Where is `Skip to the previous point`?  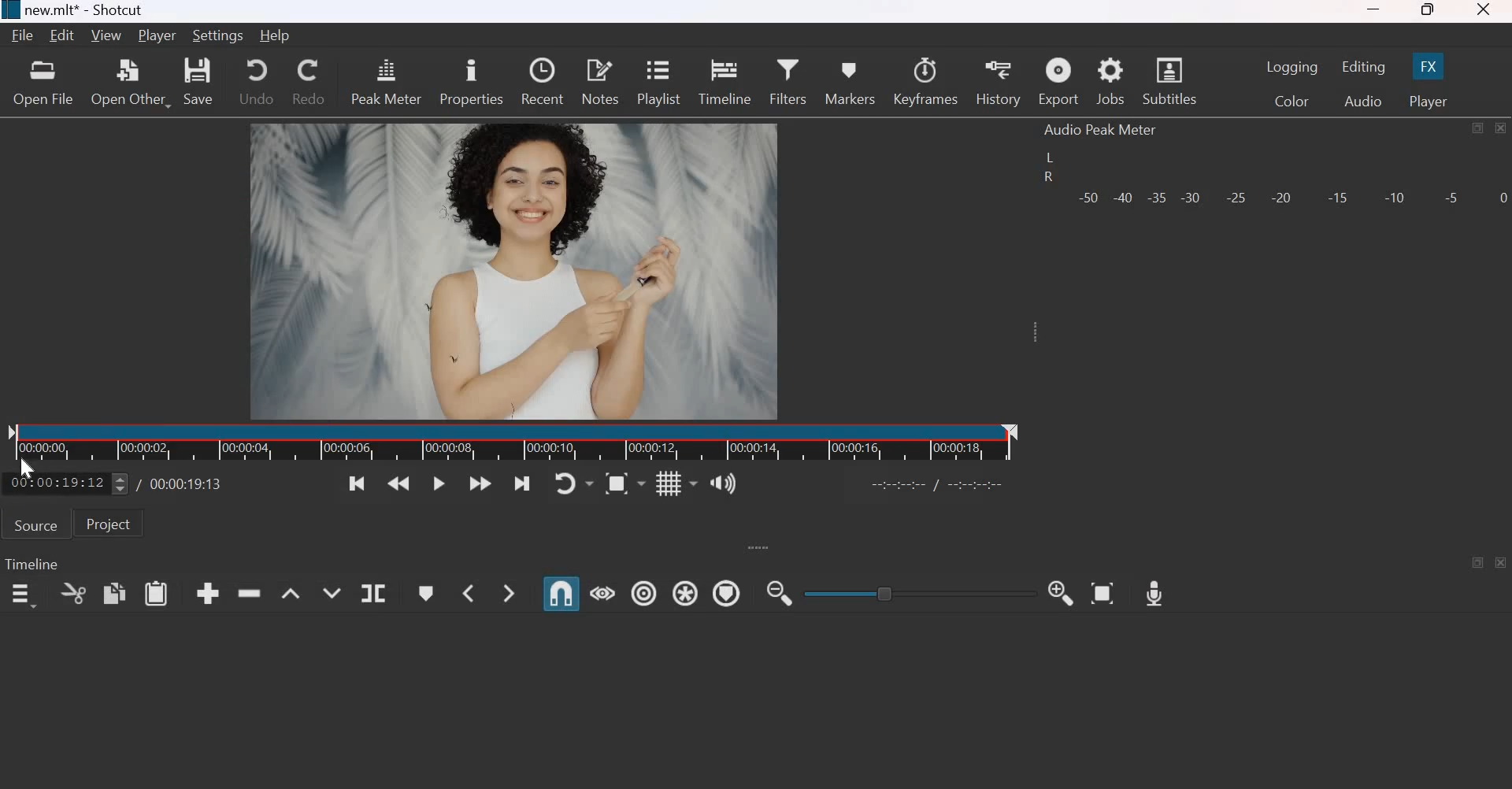 Skip to the previous point is located at coordinates (357, 483).